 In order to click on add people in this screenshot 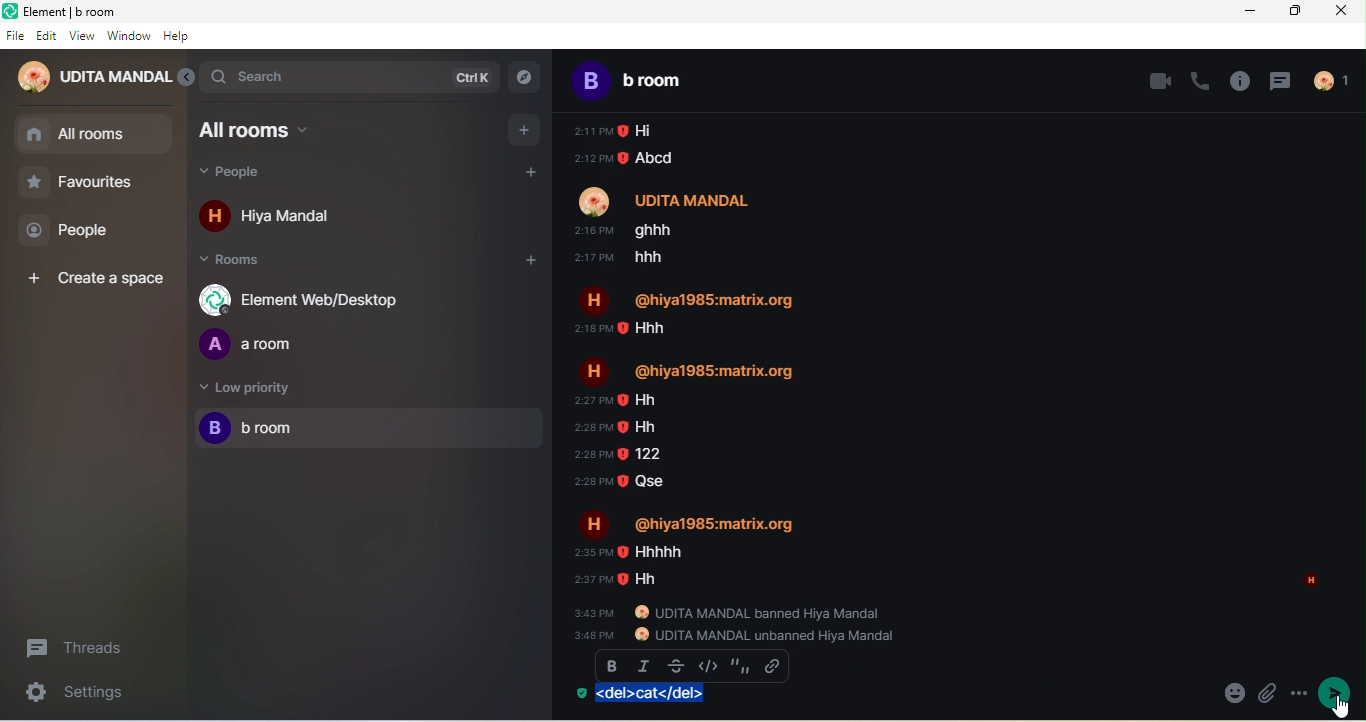, I will do `click(536, 175)`.